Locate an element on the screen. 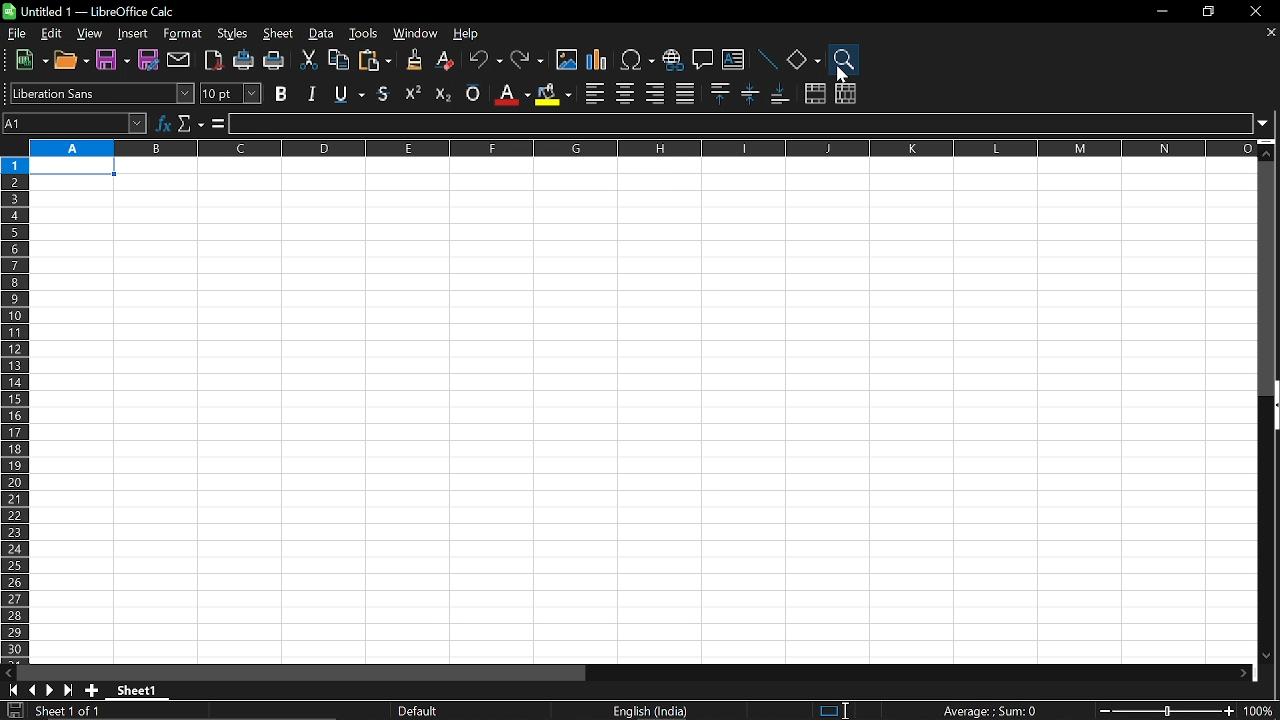 The image size is (1280, 720). next page is located at coordinates (50, 691).